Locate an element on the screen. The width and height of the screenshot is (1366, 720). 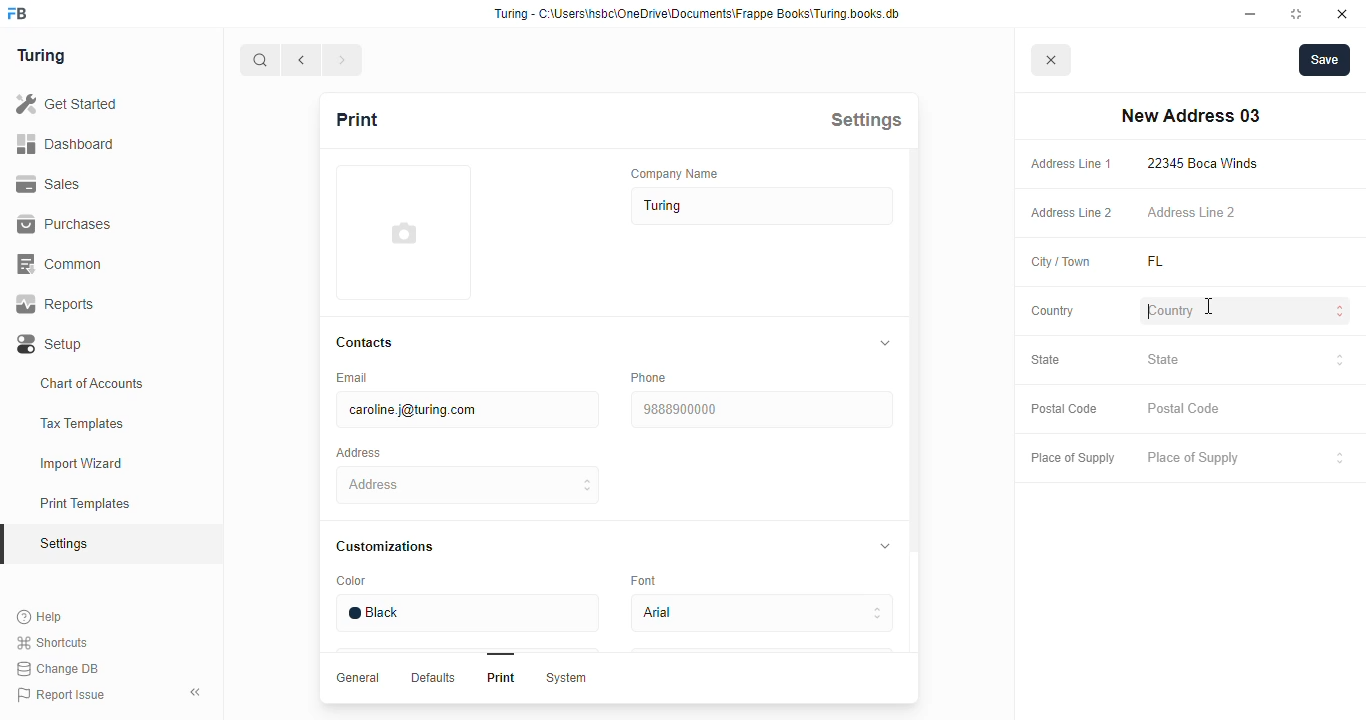
toggle expand/collapse is located at coordinates (881, 544).